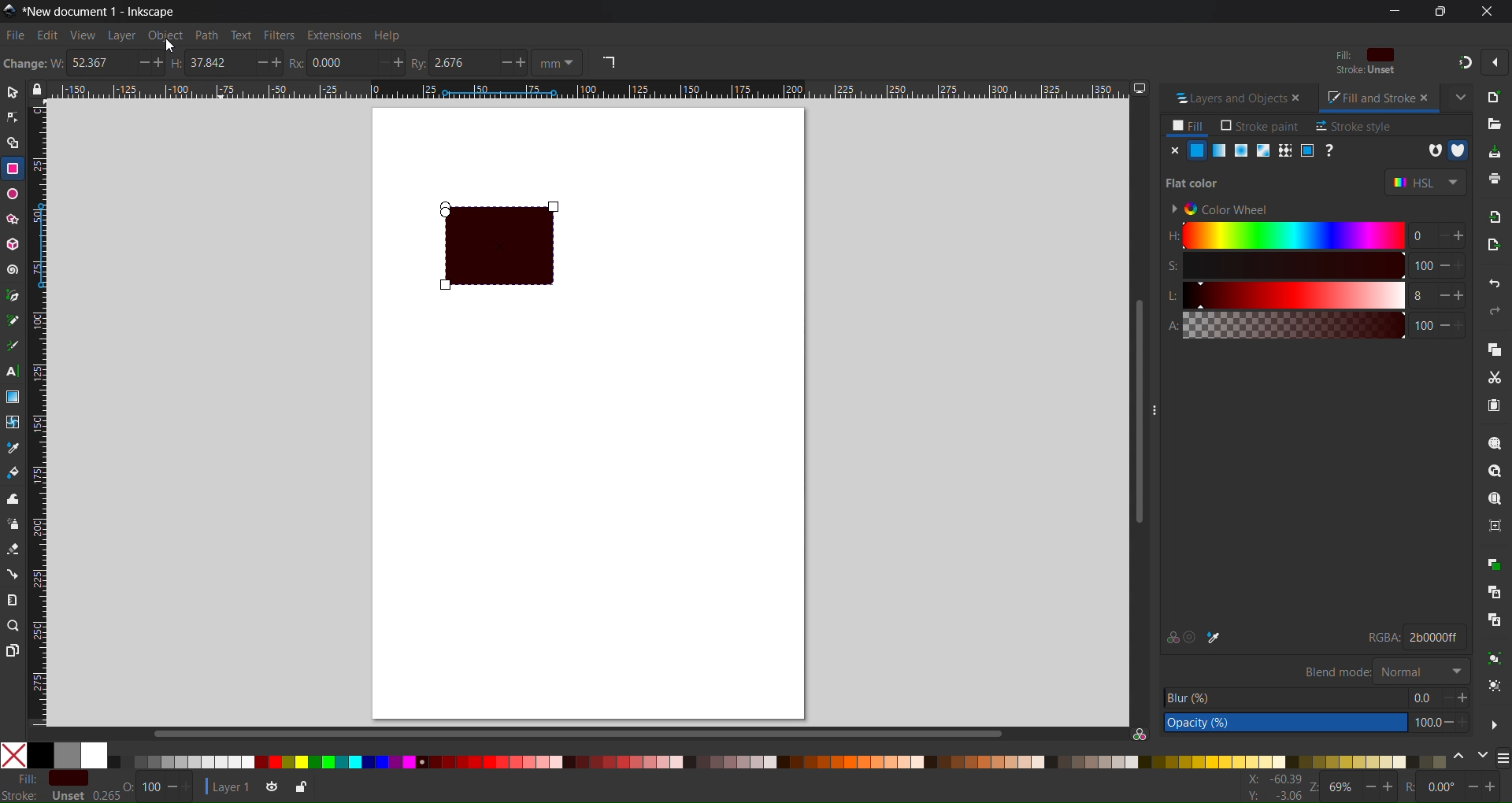 The height and width of the screenshot is (803, 1512). Describe the element at coordinates (1464, 324) in the screenshot. I see `increase alpha` at that location.